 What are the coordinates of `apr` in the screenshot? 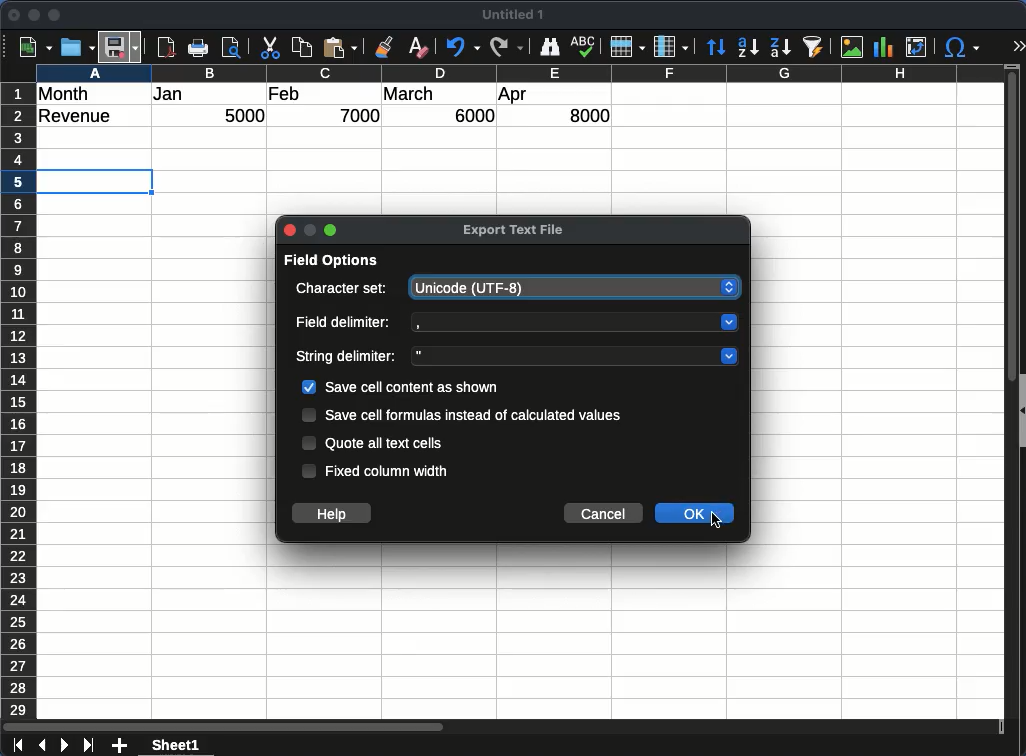 It's located at (514, 96).